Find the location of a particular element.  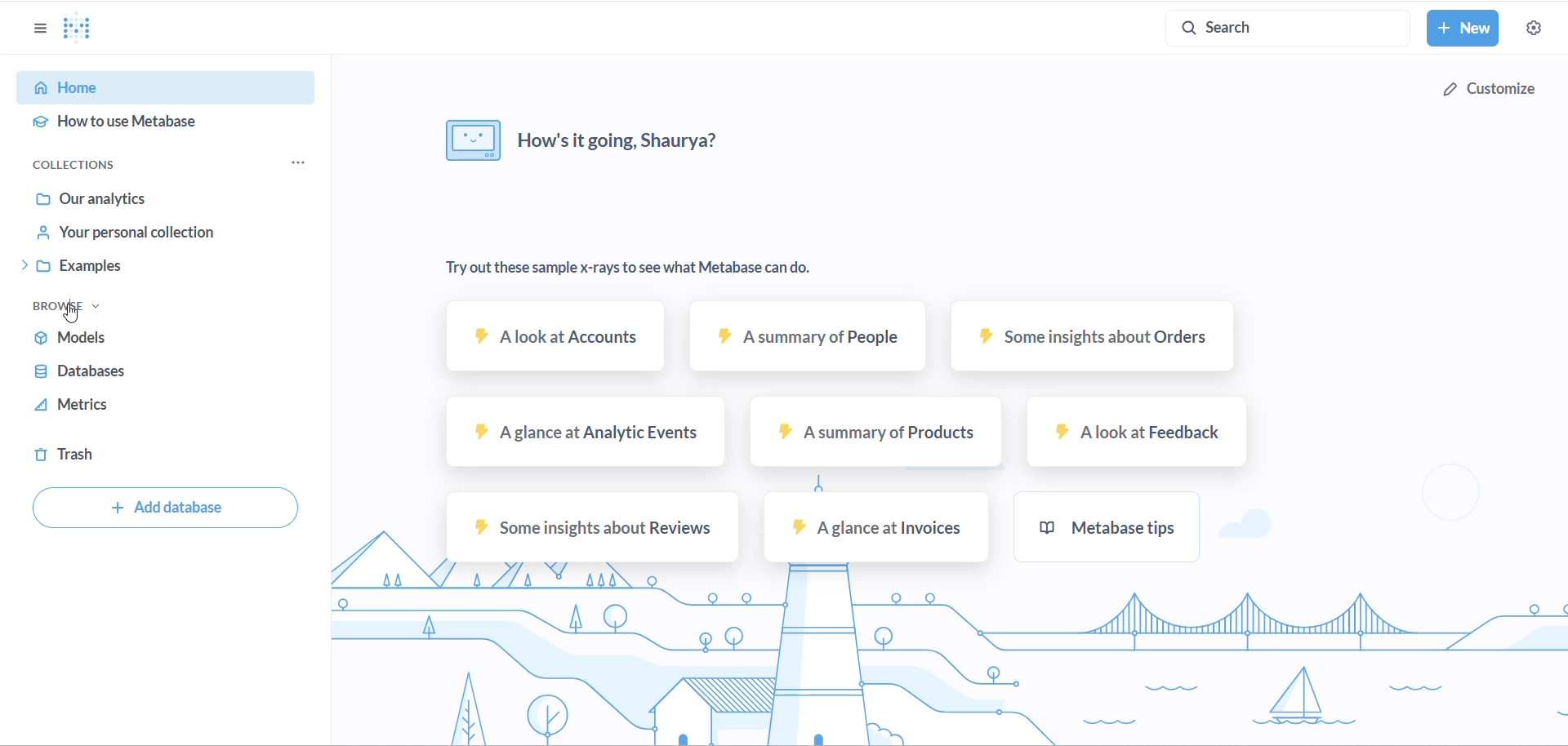

show/hide sidebar is located at coordinates (38, 33).